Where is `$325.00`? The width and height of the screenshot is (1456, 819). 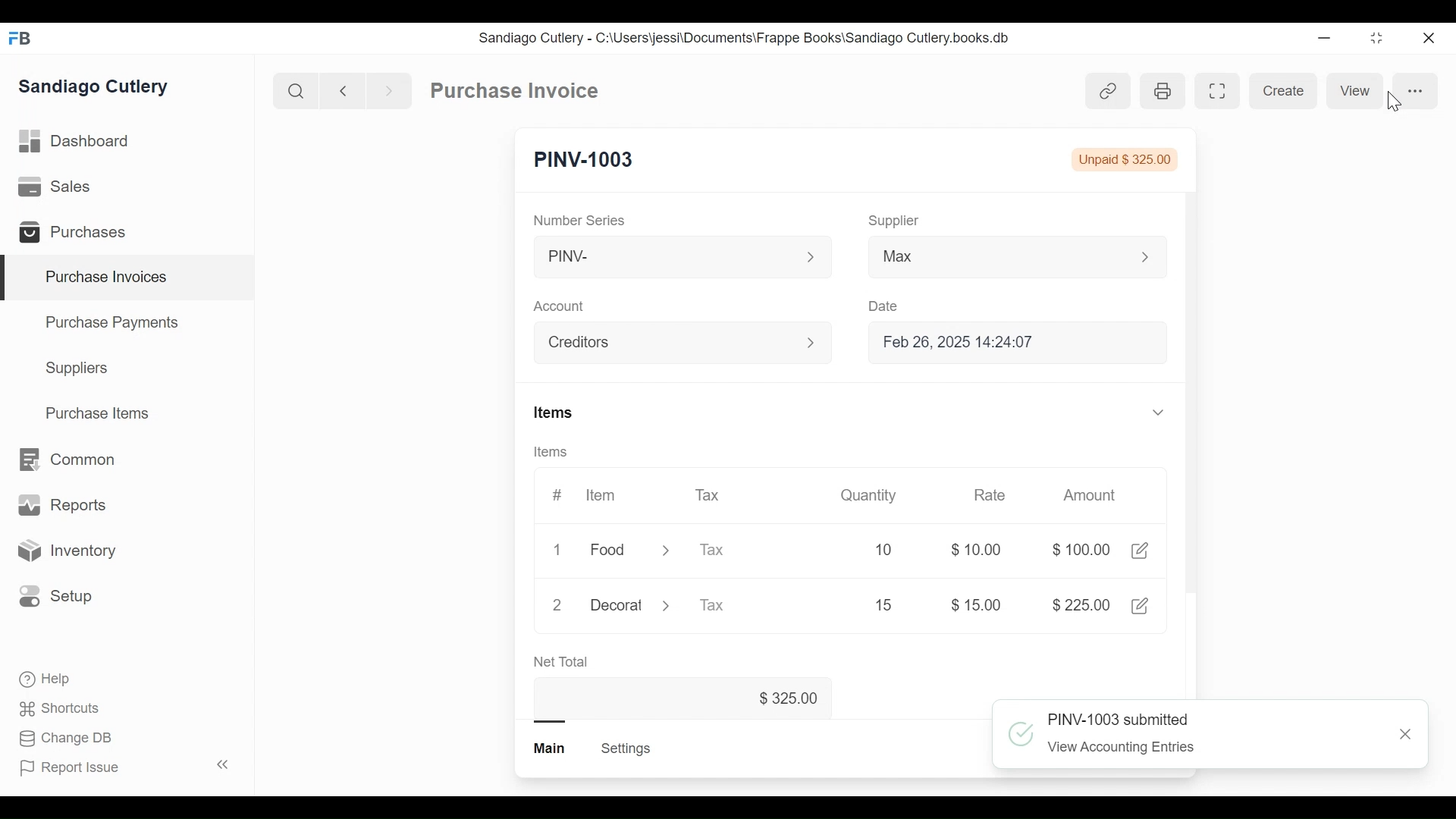
$325.00 is located at coordinates (797, 700).